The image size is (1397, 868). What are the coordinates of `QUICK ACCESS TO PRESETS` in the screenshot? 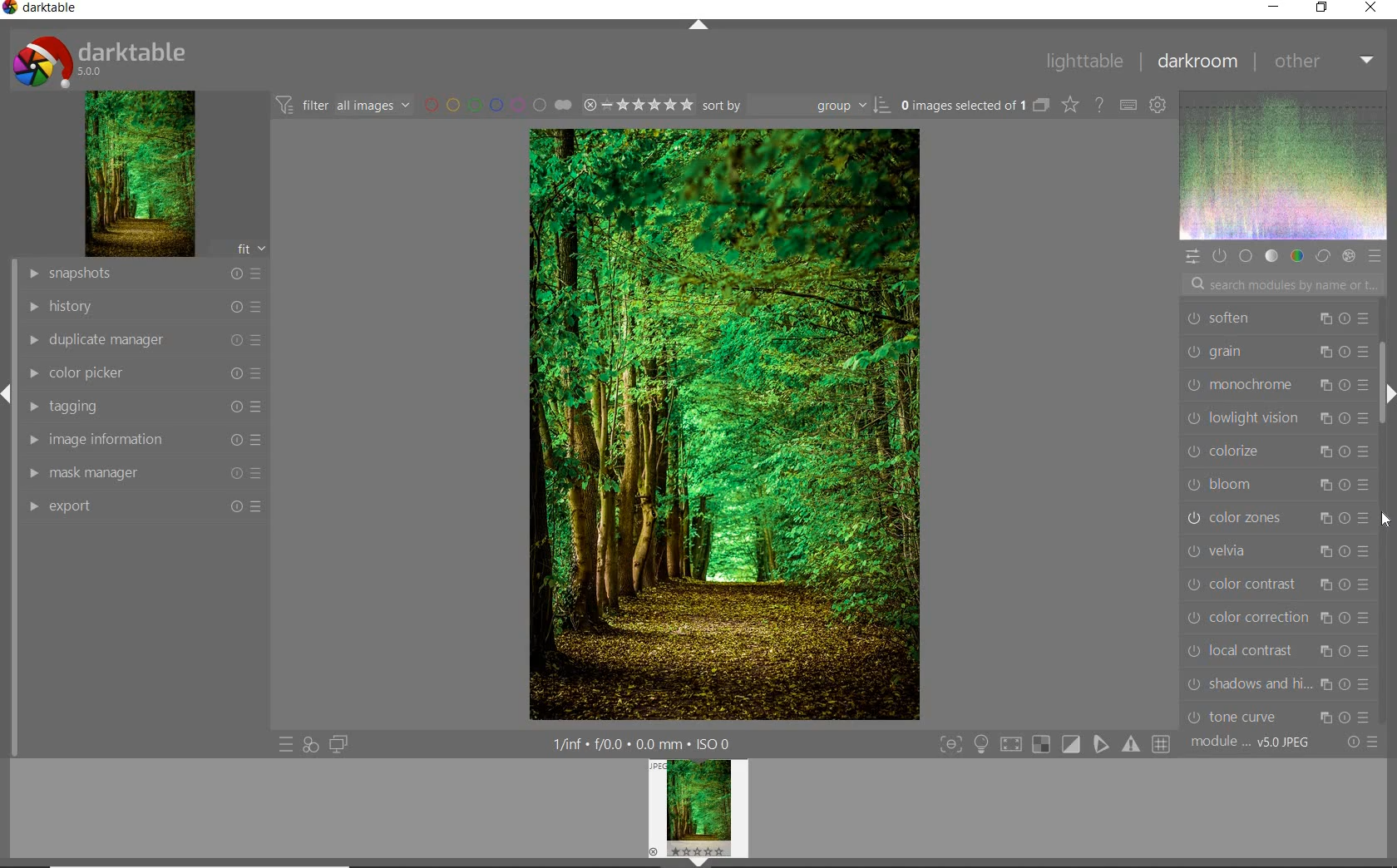 It's located at (285, 743).